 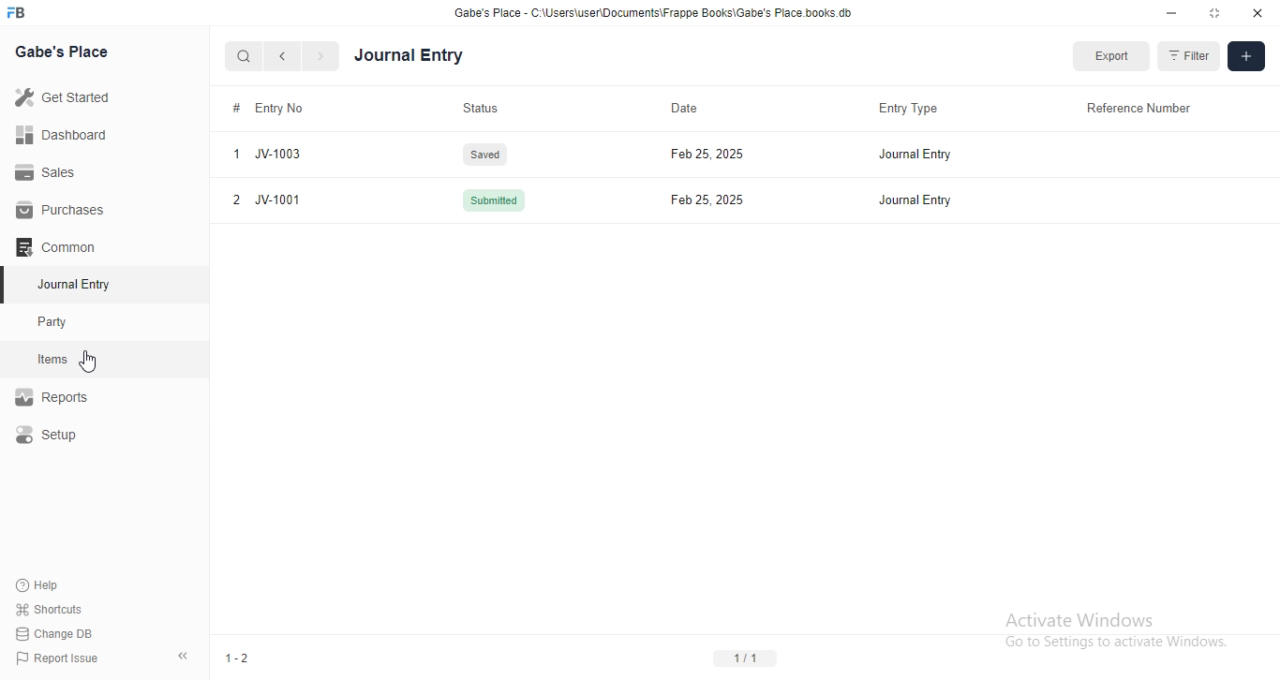 What do you see at coordinates (745, 658) in the screenshot?
I see `1/1` at bounding box center [745, 658].